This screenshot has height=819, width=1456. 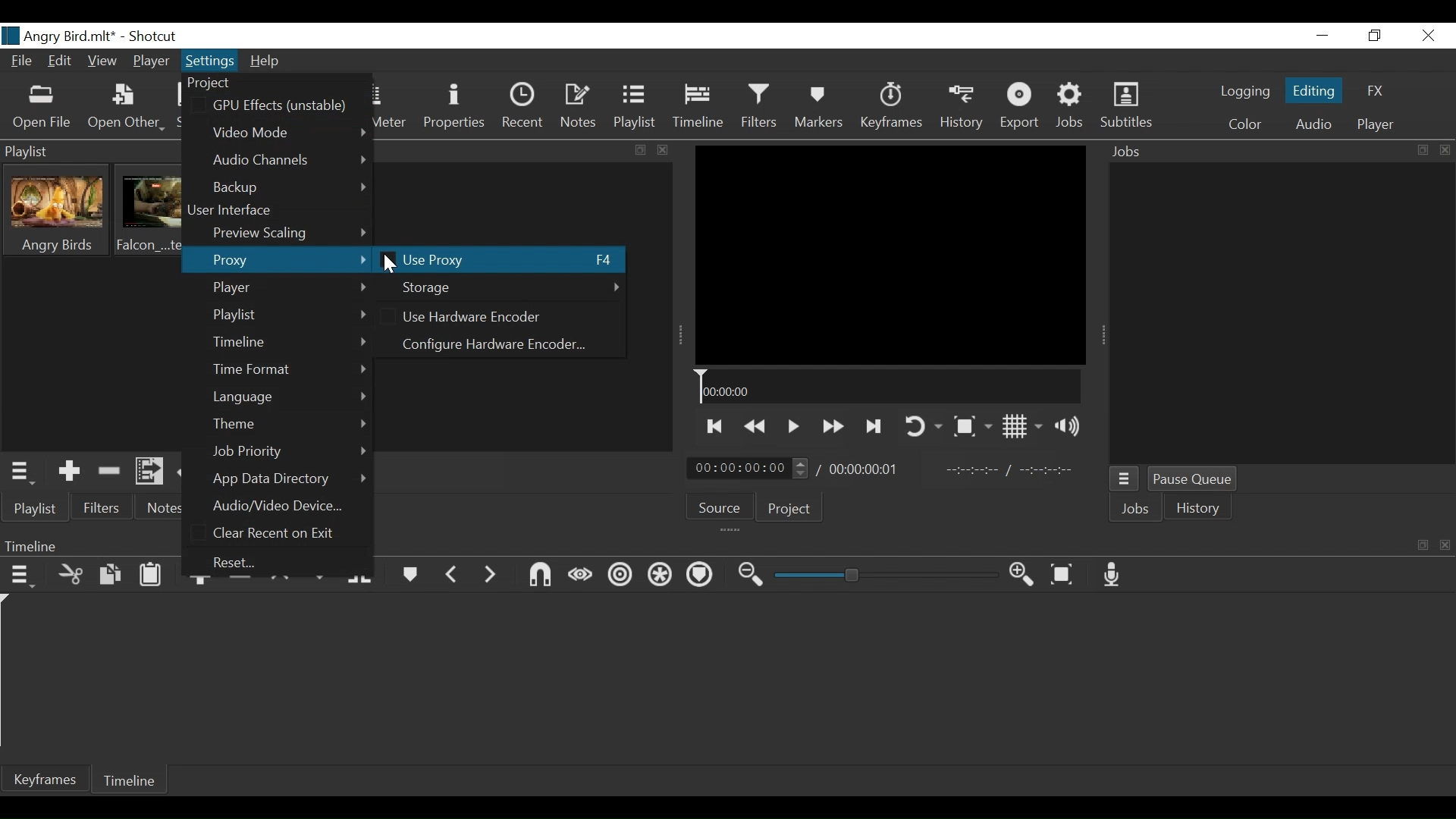 I want to click on Add the Source to the playlist, so click(x=67, y=471).